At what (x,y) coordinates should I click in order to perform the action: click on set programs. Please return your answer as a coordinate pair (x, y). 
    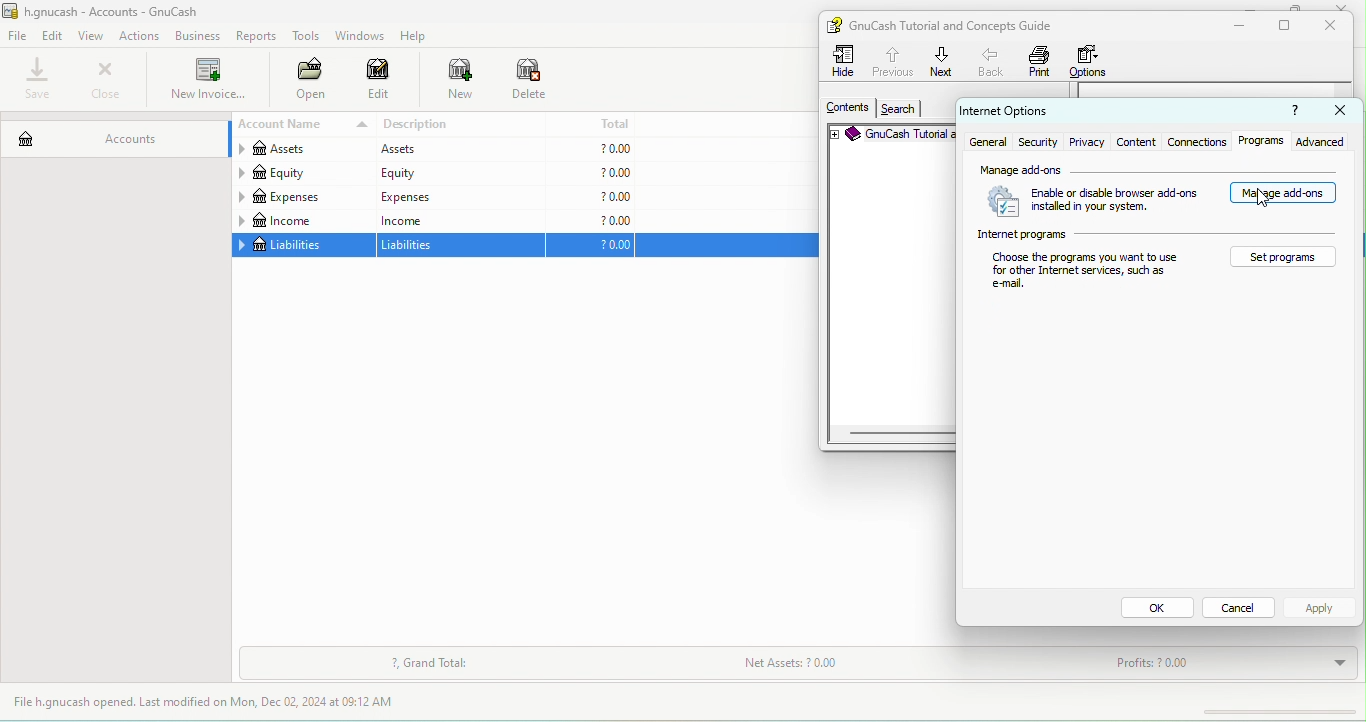
    Looking at the image, I should click on (1284, 257).